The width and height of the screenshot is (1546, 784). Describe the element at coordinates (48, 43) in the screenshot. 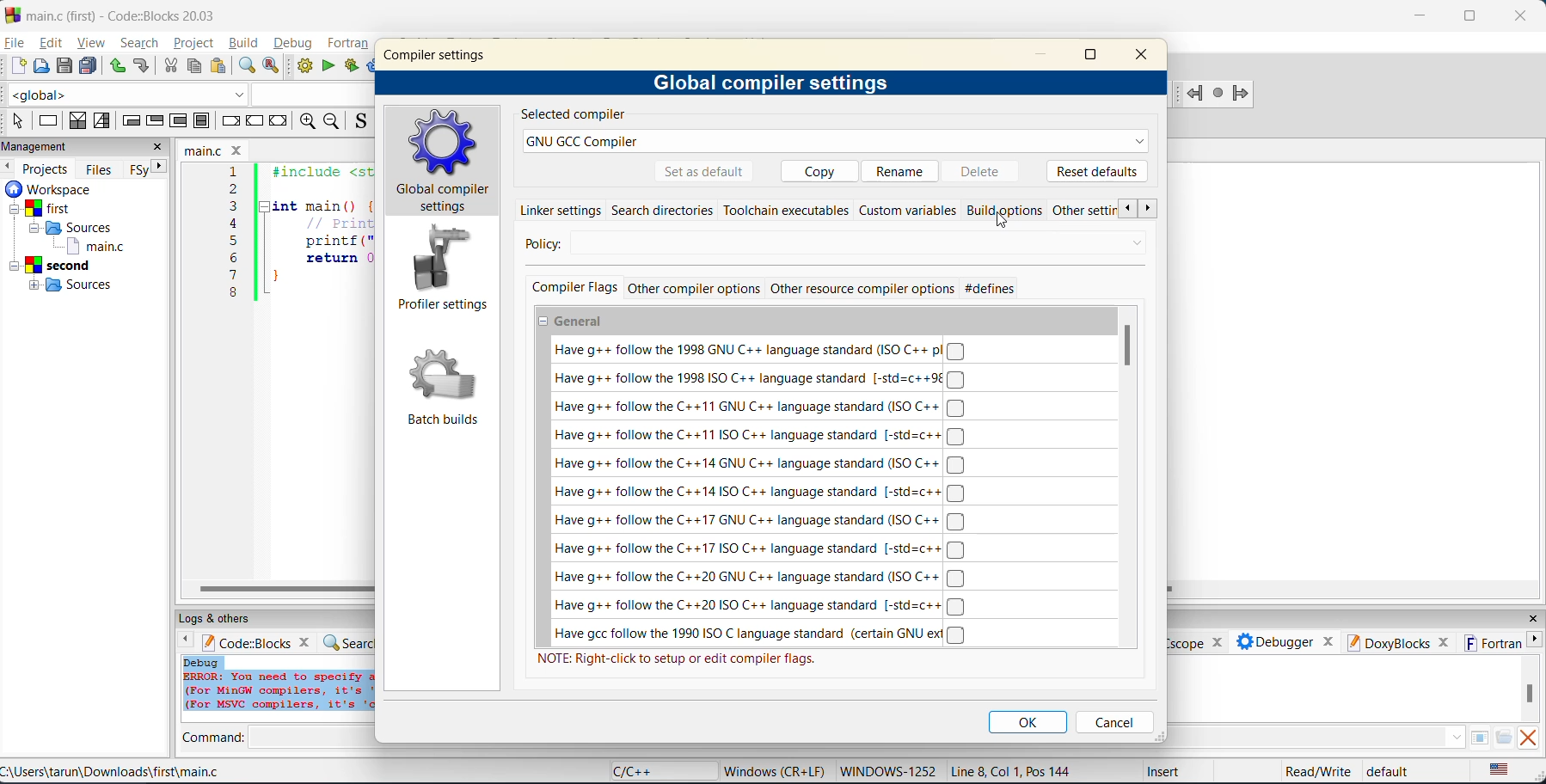

I see `edit` at that location.